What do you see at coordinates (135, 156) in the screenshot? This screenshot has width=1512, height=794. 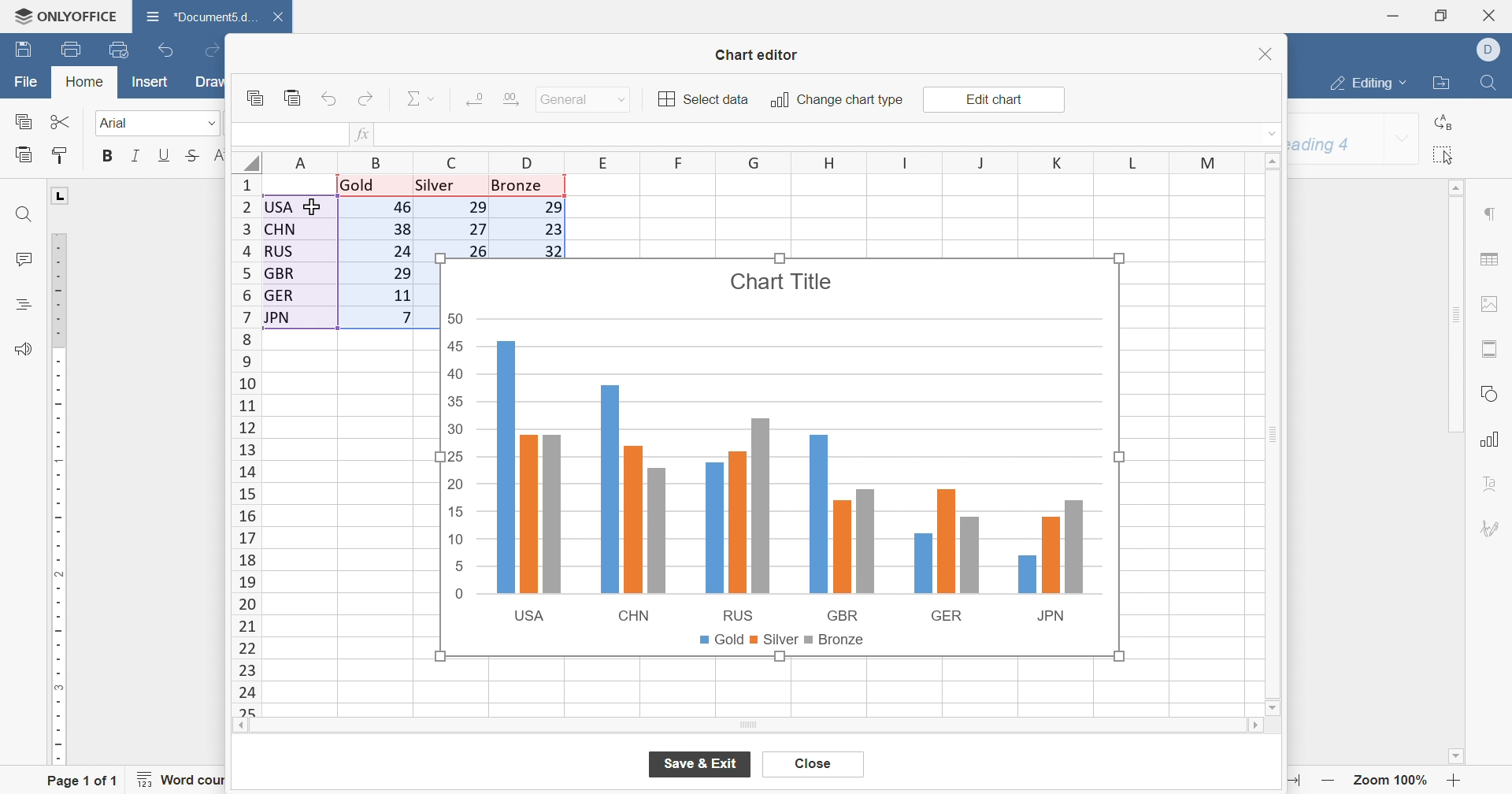 I see `italic` at bounding box center [135, 156].